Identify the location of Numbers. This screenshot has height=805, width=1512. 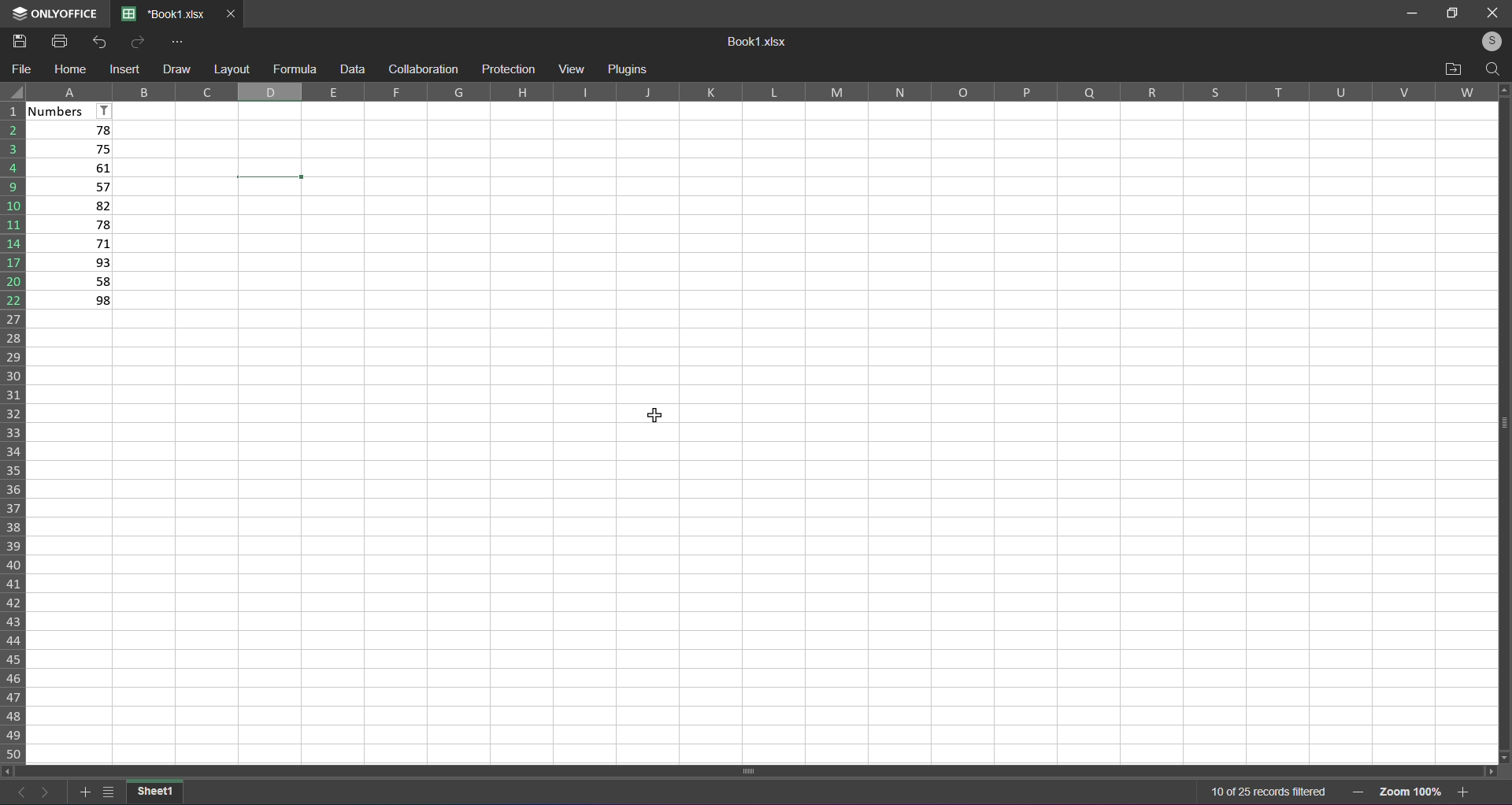
(72, 110).